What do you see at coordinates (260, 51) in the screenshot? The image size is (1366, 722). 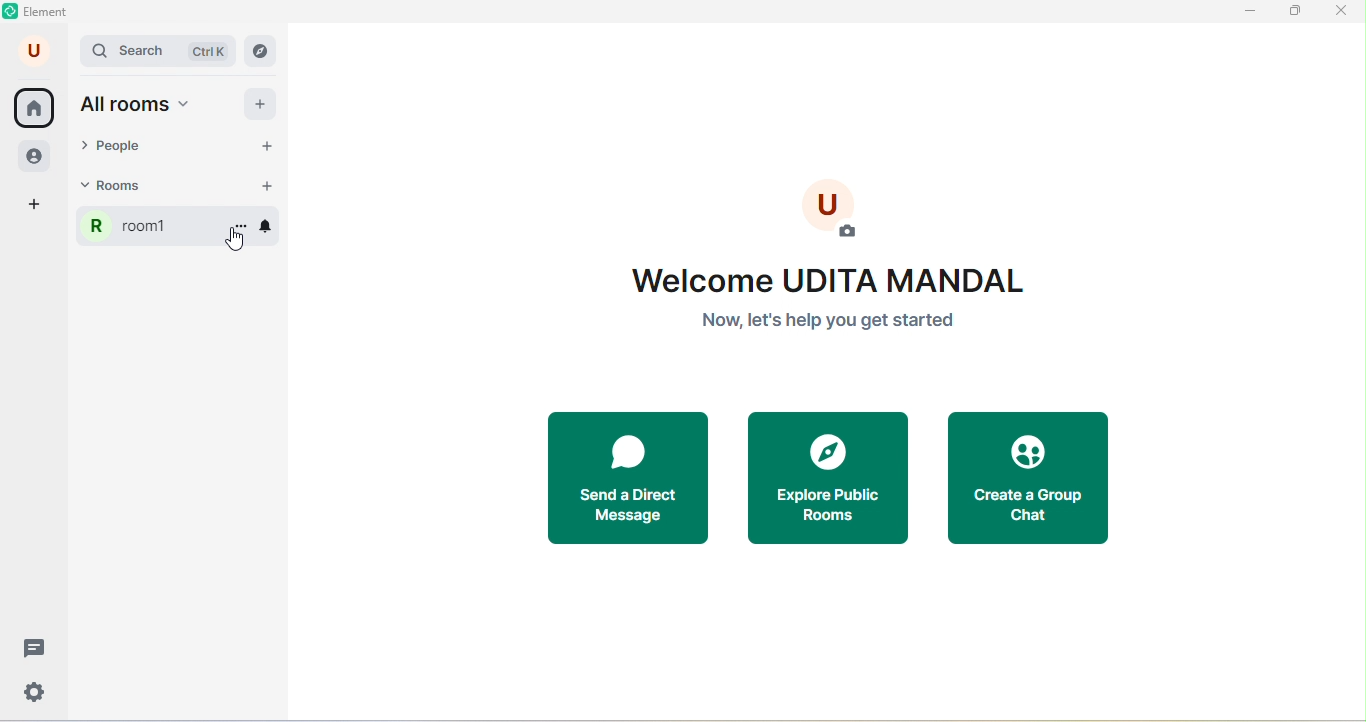 I see `navigator` at bounding box center [260, 51].